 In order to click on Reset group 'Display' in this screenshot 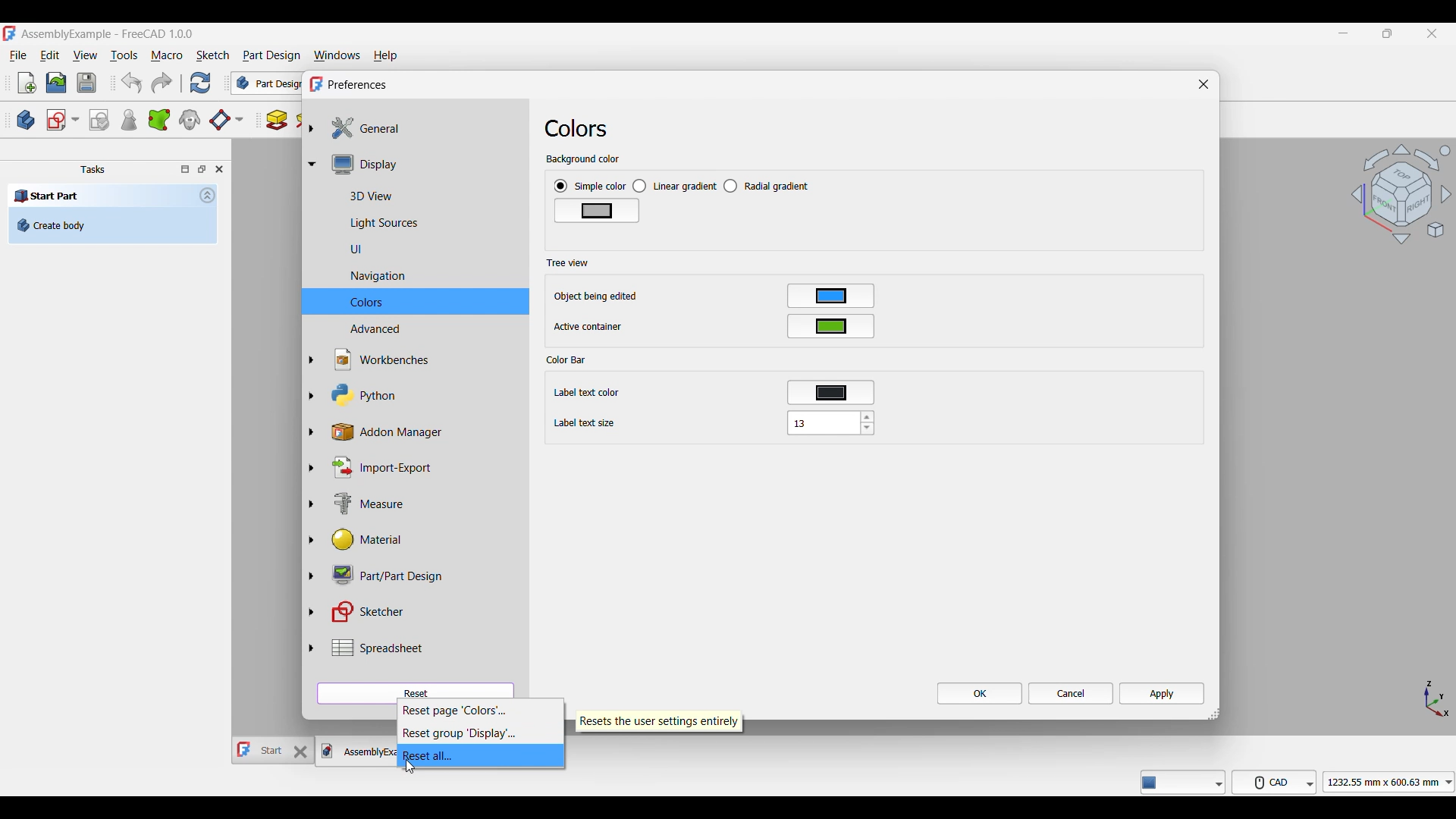, I will do `click(480, 733)`.